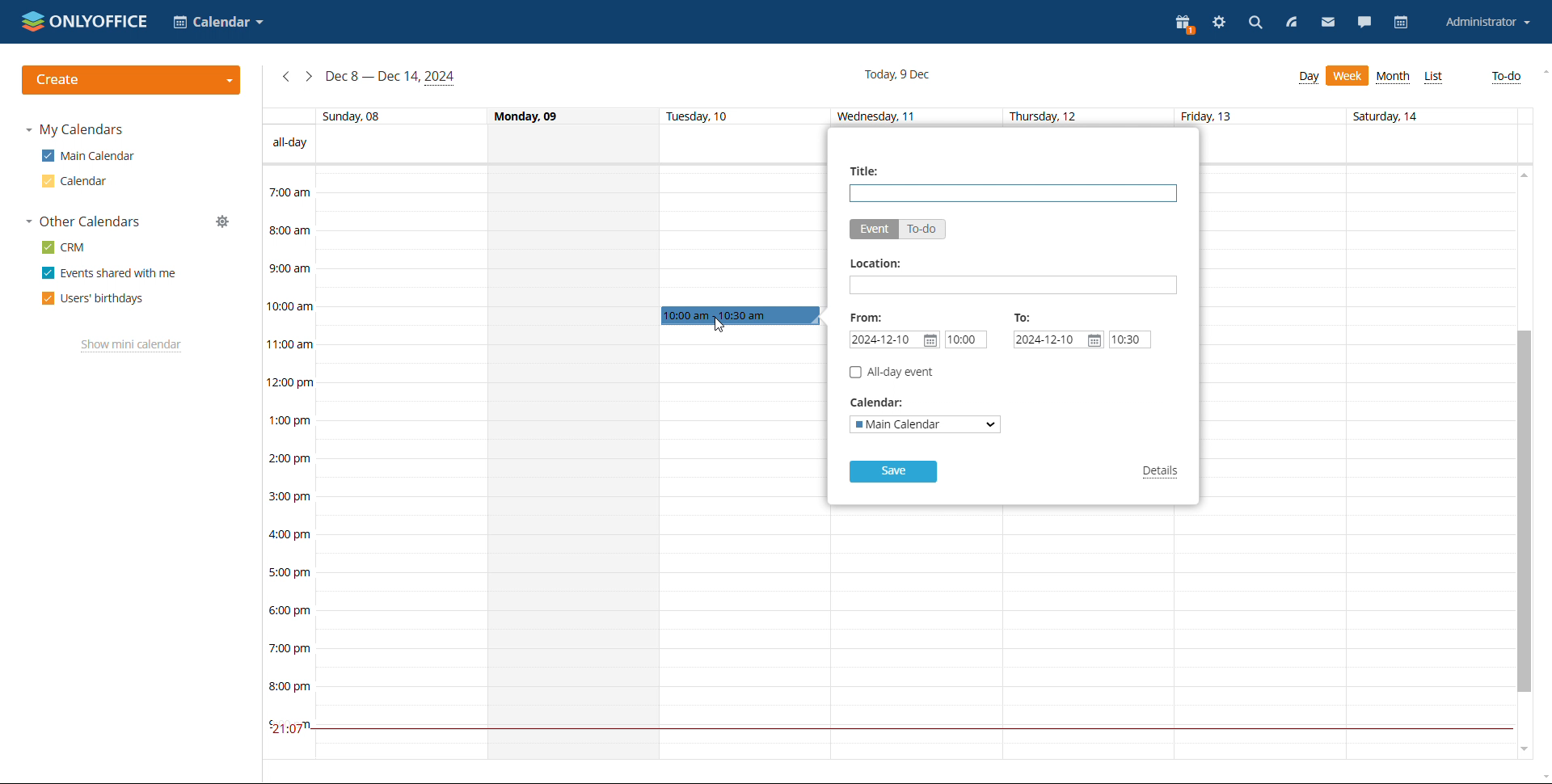 The height and width of the screenshot is (784, 1552). I want to click on talk, so click(1363, 23).